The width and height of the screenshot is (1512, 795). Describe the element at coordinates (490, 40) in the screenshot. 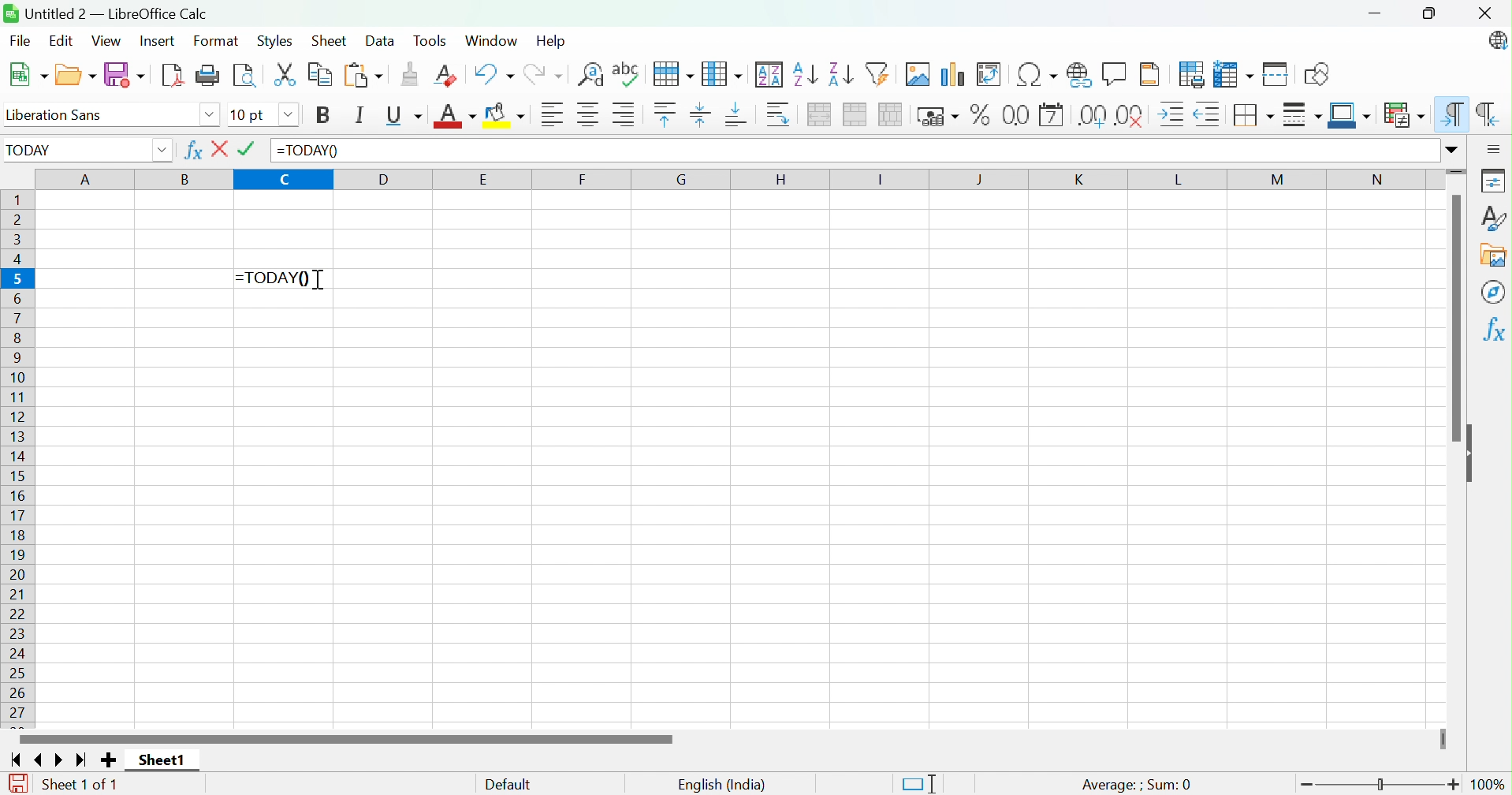

I see `Window` at that location.